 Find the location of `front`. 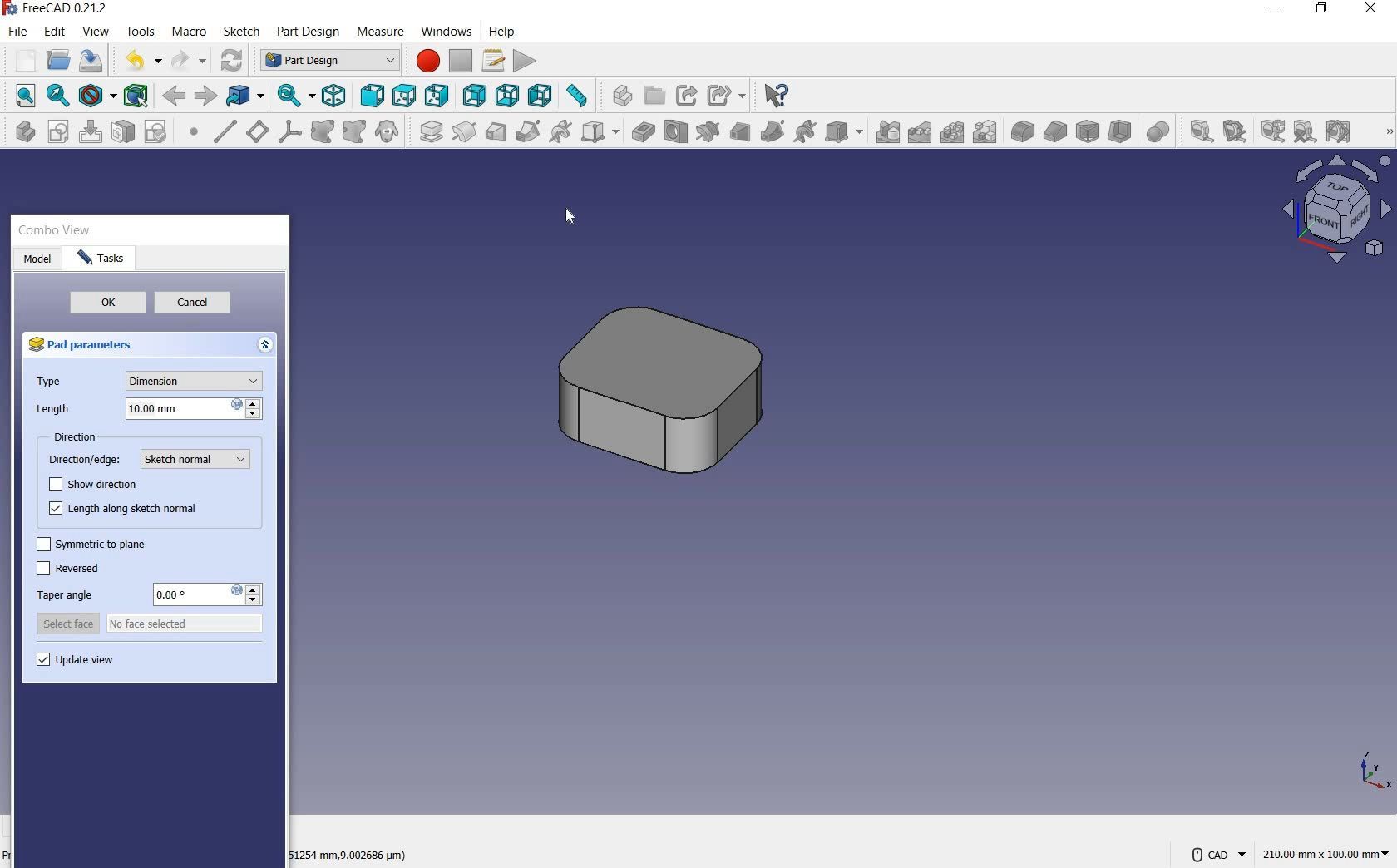

front is located at coordinates (373, 96).